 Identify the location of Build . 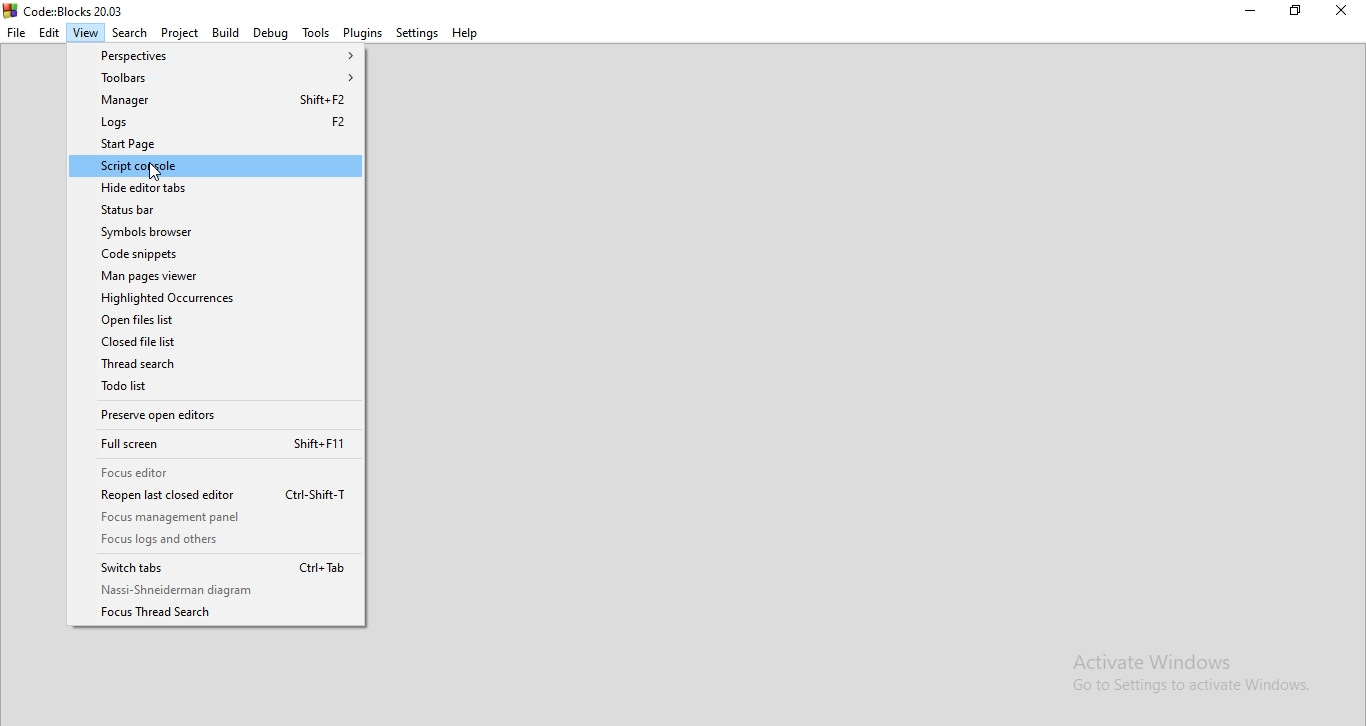
(227, 33).